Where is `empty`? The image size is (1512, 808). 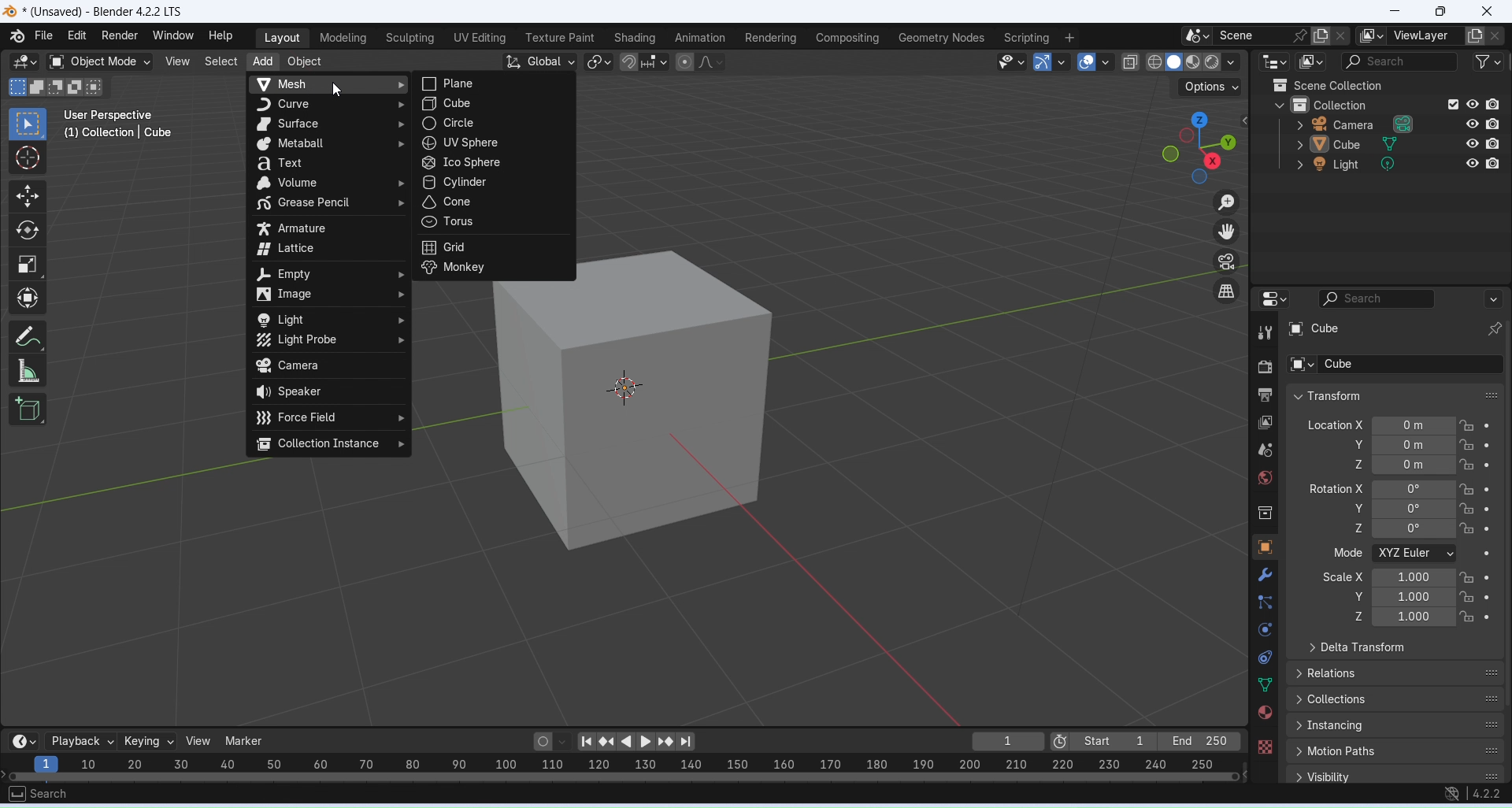
empty is located at coordinates (328, 273).